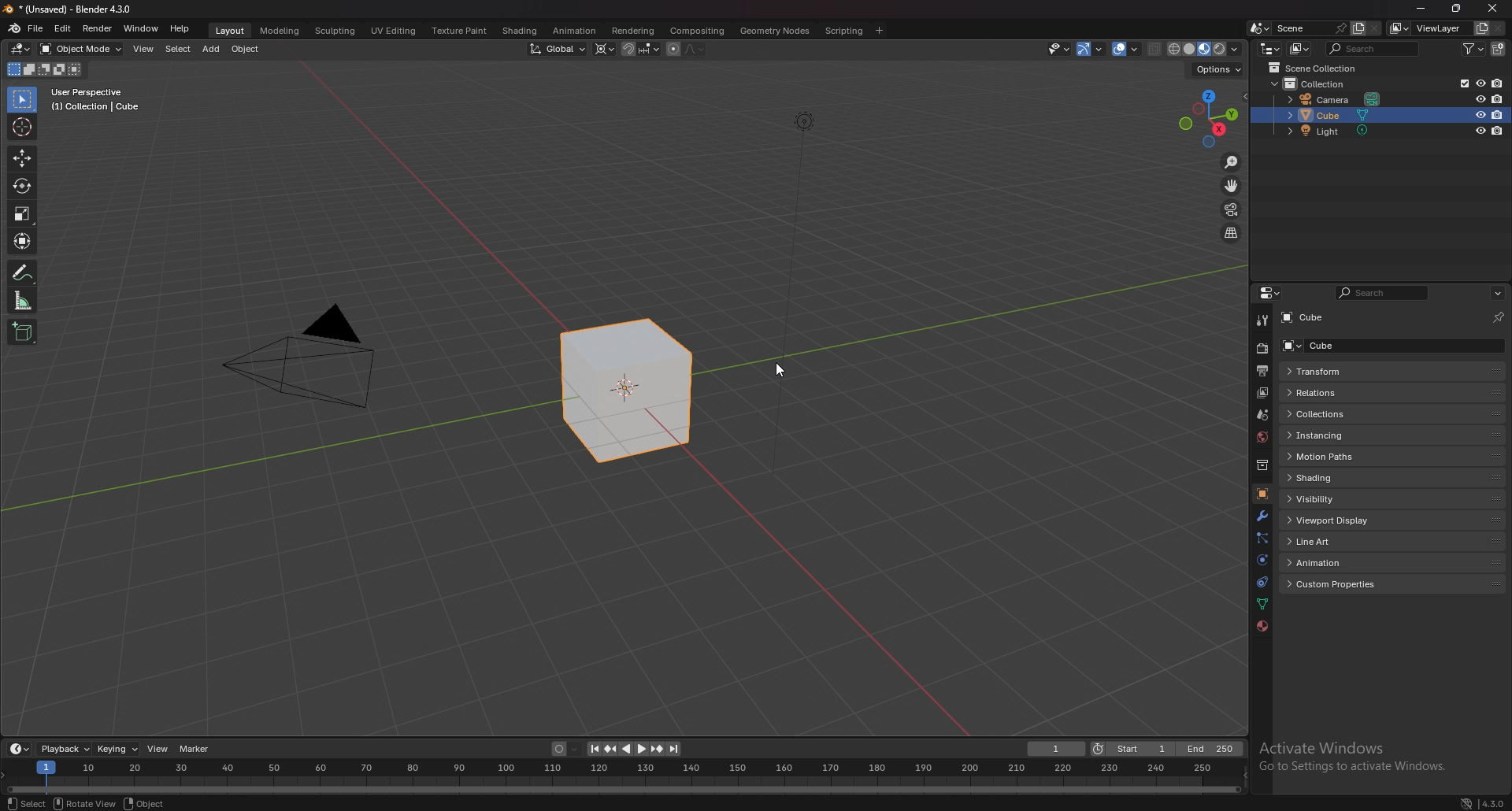 The image size is (1512, 811). Describe the element at coordinates (633, 748) in the screenshot. I see `play animation` at that location.